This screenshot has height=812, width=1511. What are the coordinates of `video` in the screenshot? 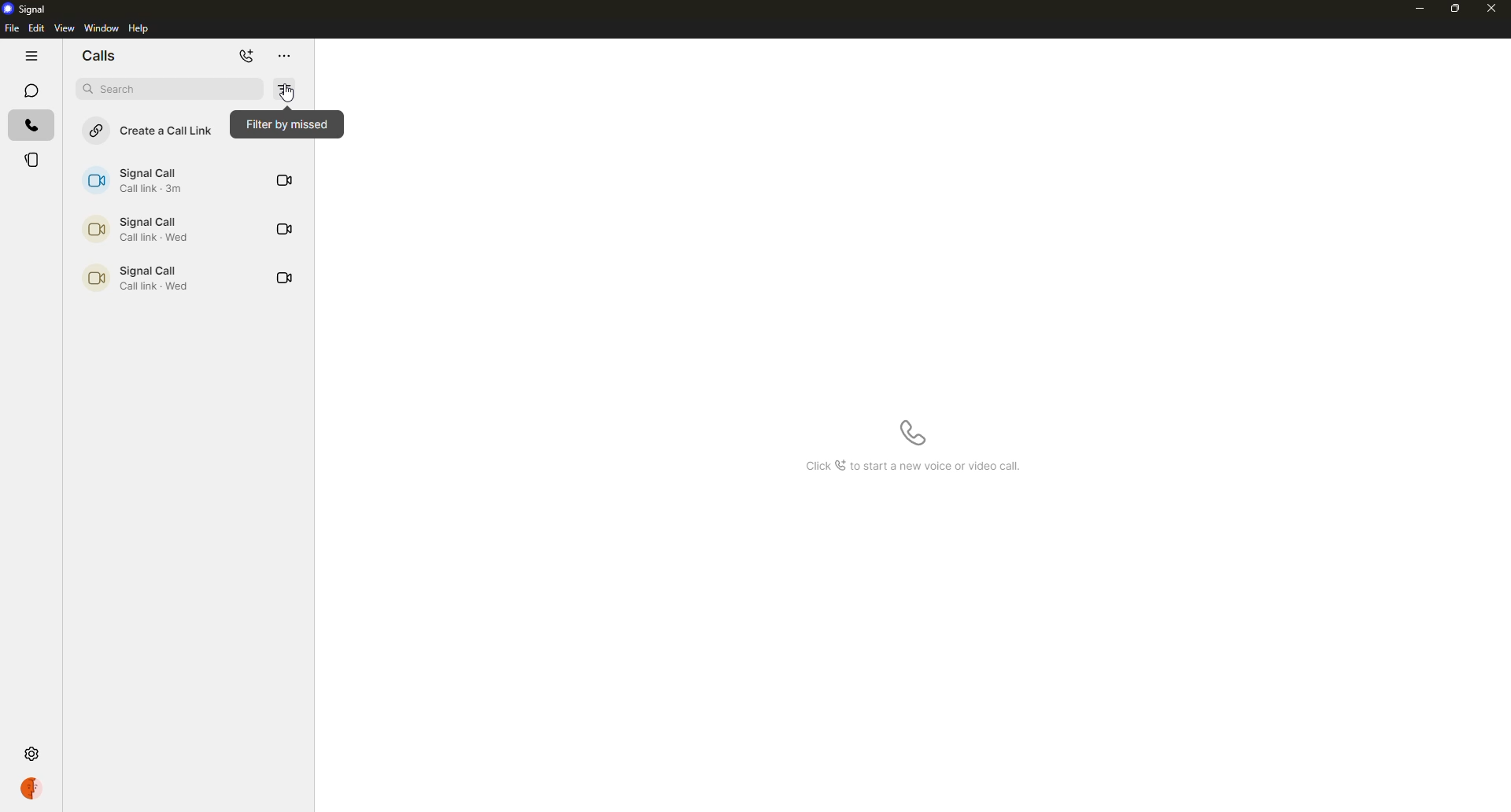 It's located at (284, 181).